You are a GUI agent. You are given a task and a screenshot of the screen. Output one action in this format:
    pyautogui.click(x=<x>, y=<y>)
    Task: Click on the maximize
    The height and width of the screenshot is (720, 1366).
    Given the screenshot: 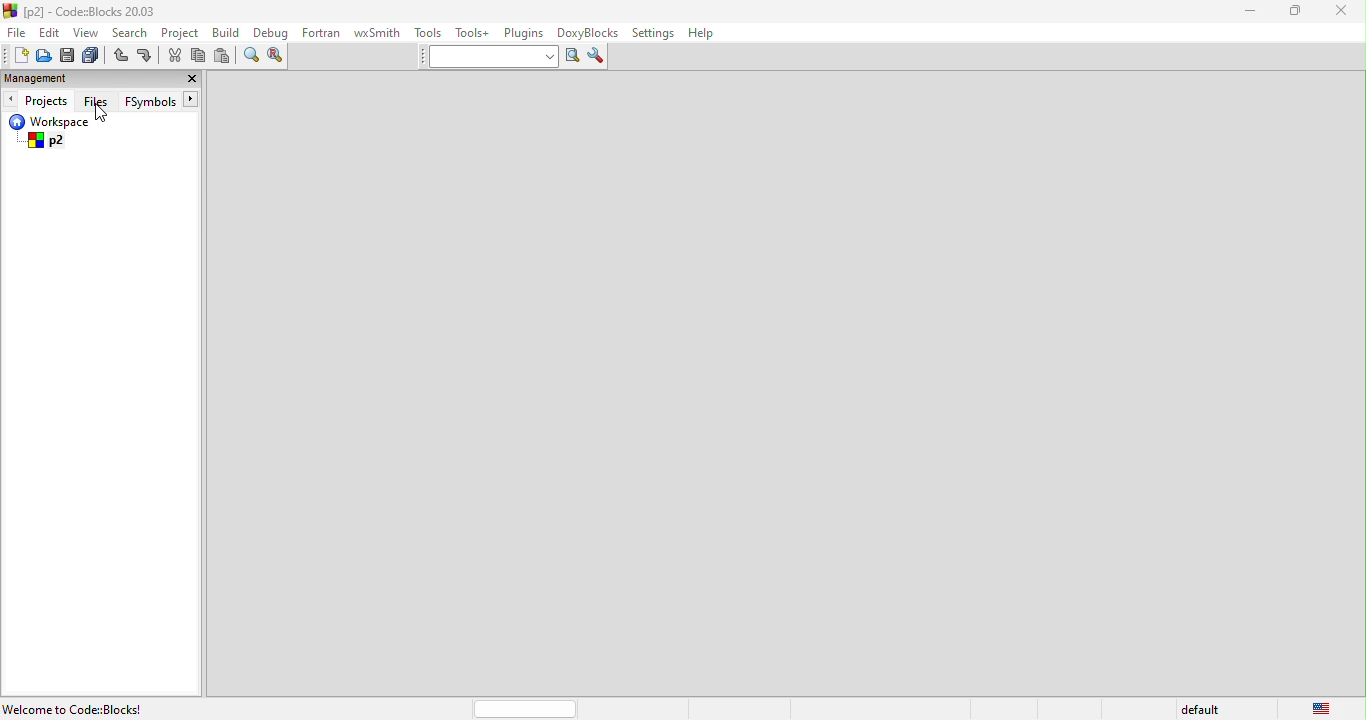 What is the action you would take?
    pyautogui.click(x=1296, y=13)
    